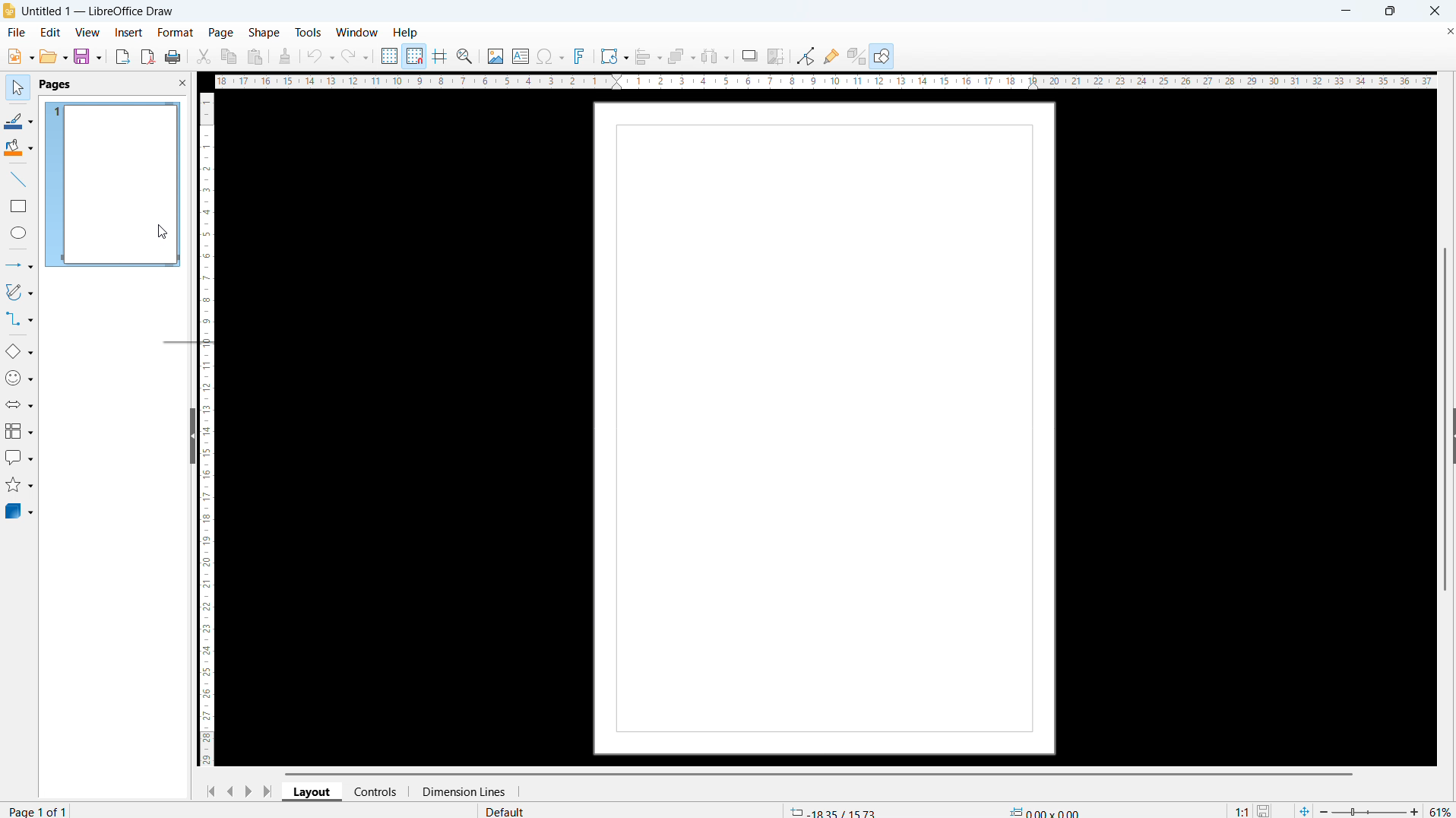  What do you see at coordinates (203, 55) in the screenshot?
I see `cut` at bounding box center [203, 55].